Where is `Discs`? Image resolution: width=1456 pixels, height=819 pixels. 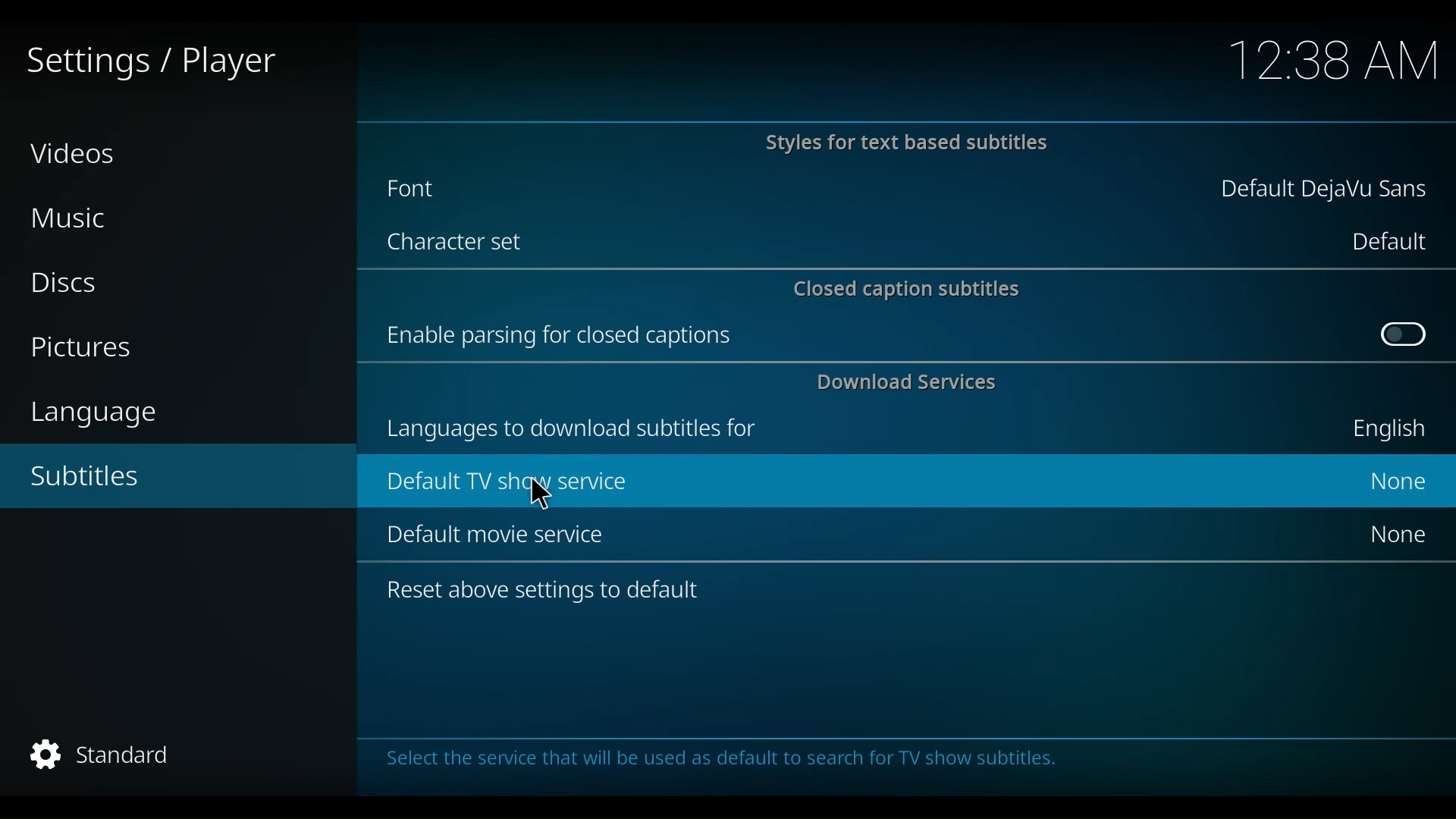 Discs is located at coordinates (71, 283).